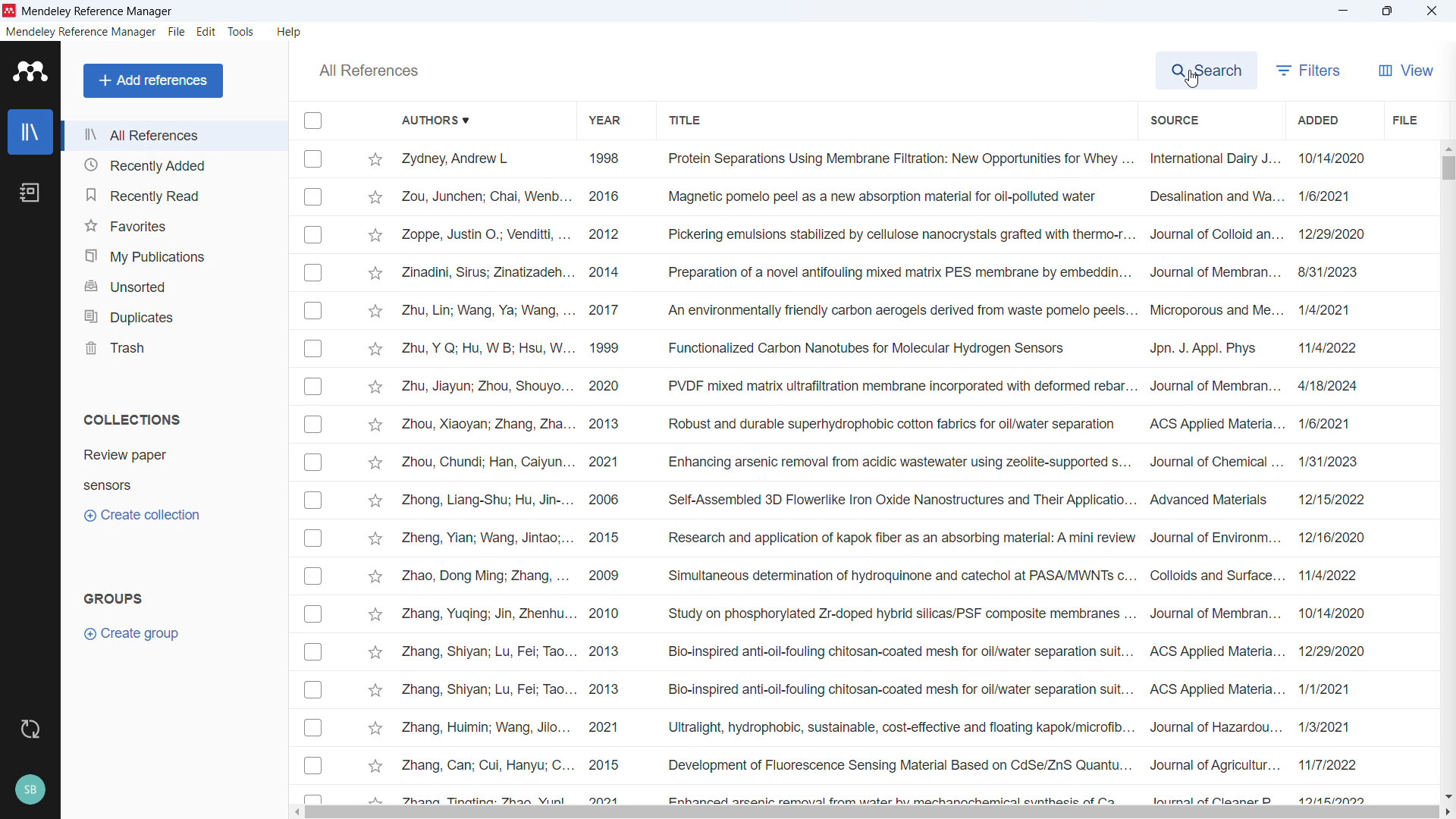 This screenshot has height=819, width=1456. Describe the element at coordinates (174, 165) in the screenshot. I see `Recently added ` at that location.